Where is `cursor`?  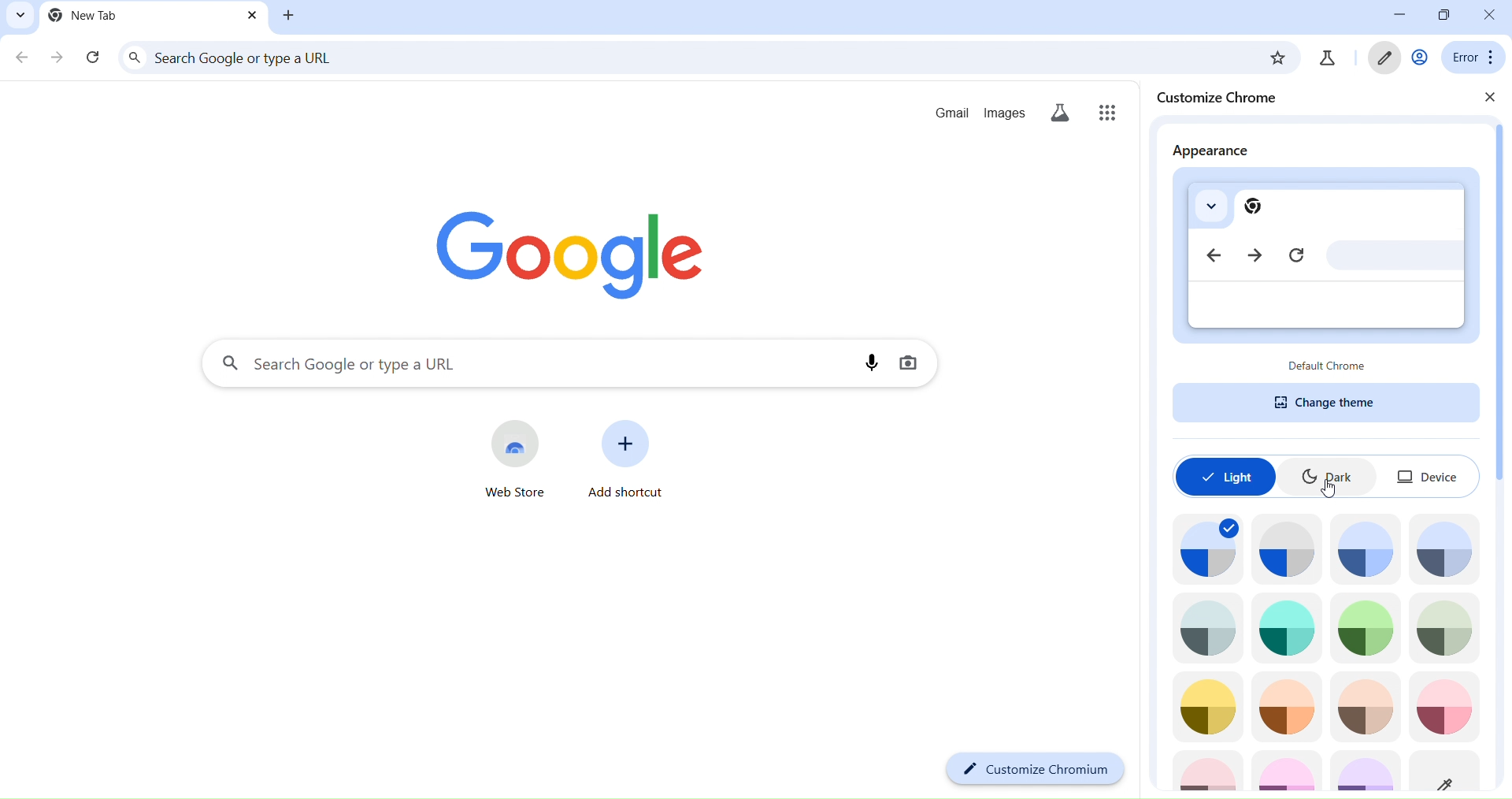
cursor is located at coordinates (1333, 491).